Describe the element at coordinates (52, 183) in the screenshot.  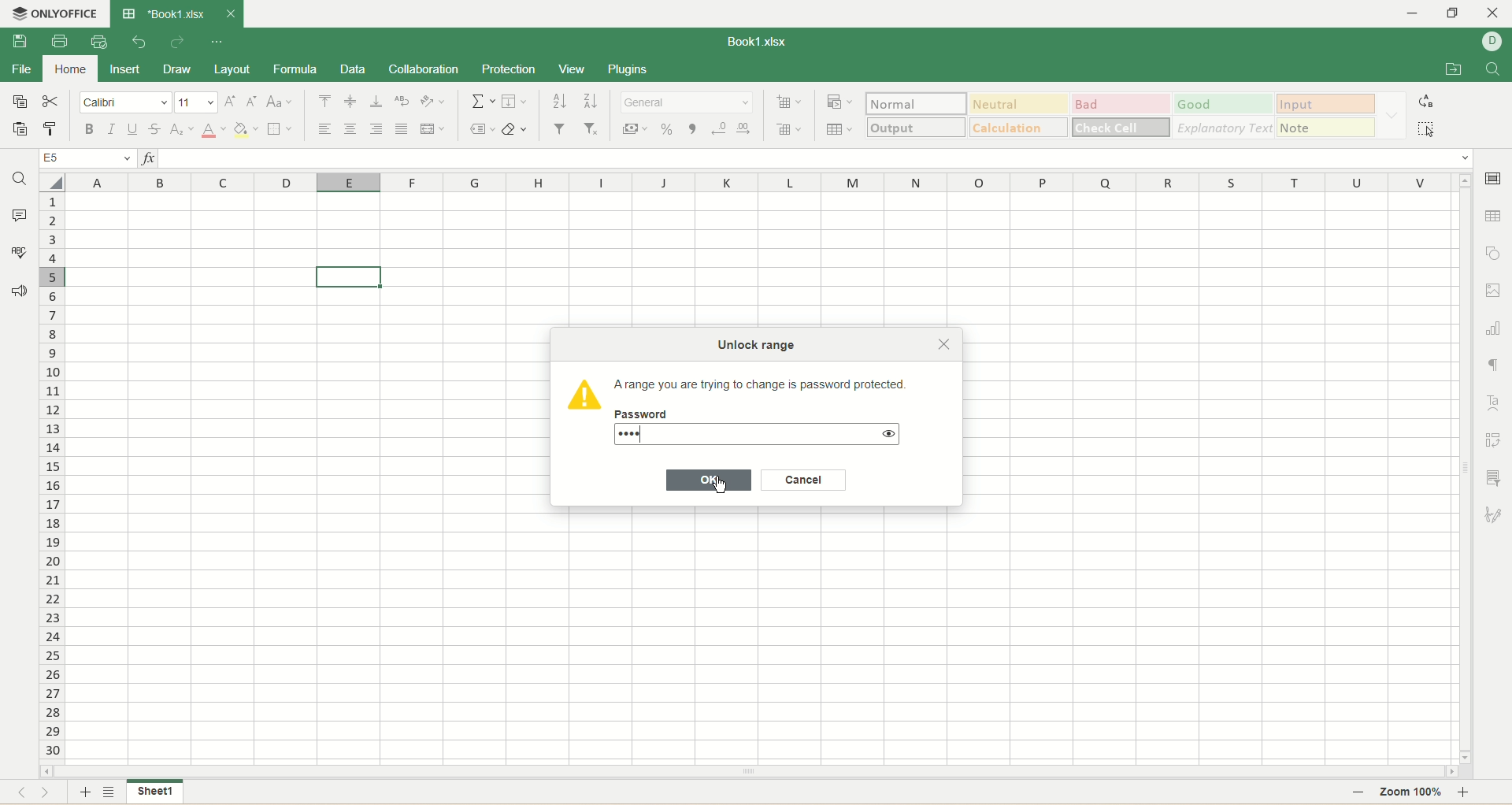
I see `select all` at that location.